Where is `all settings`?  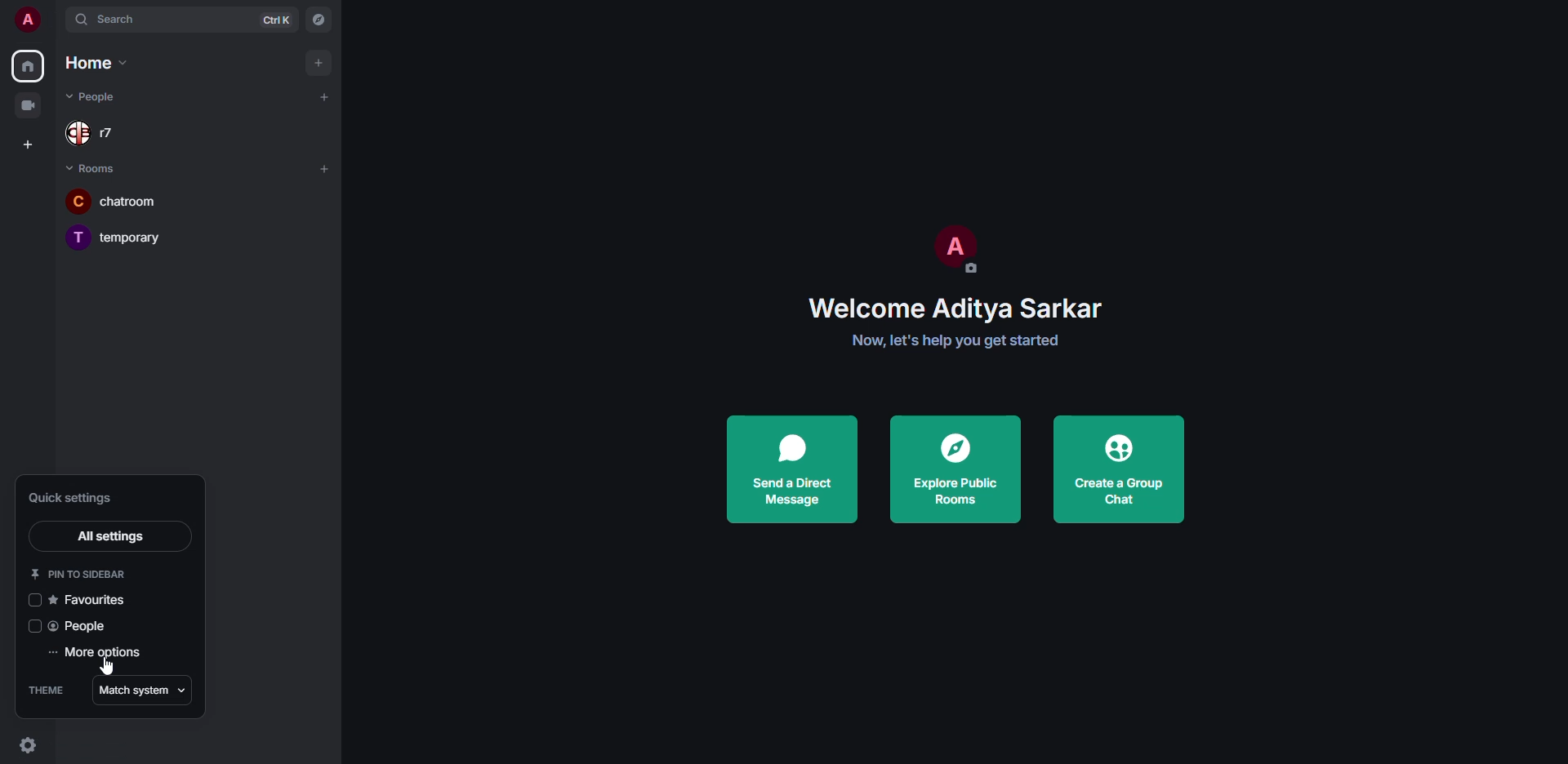 all settings is located at coordinates (114, 536).